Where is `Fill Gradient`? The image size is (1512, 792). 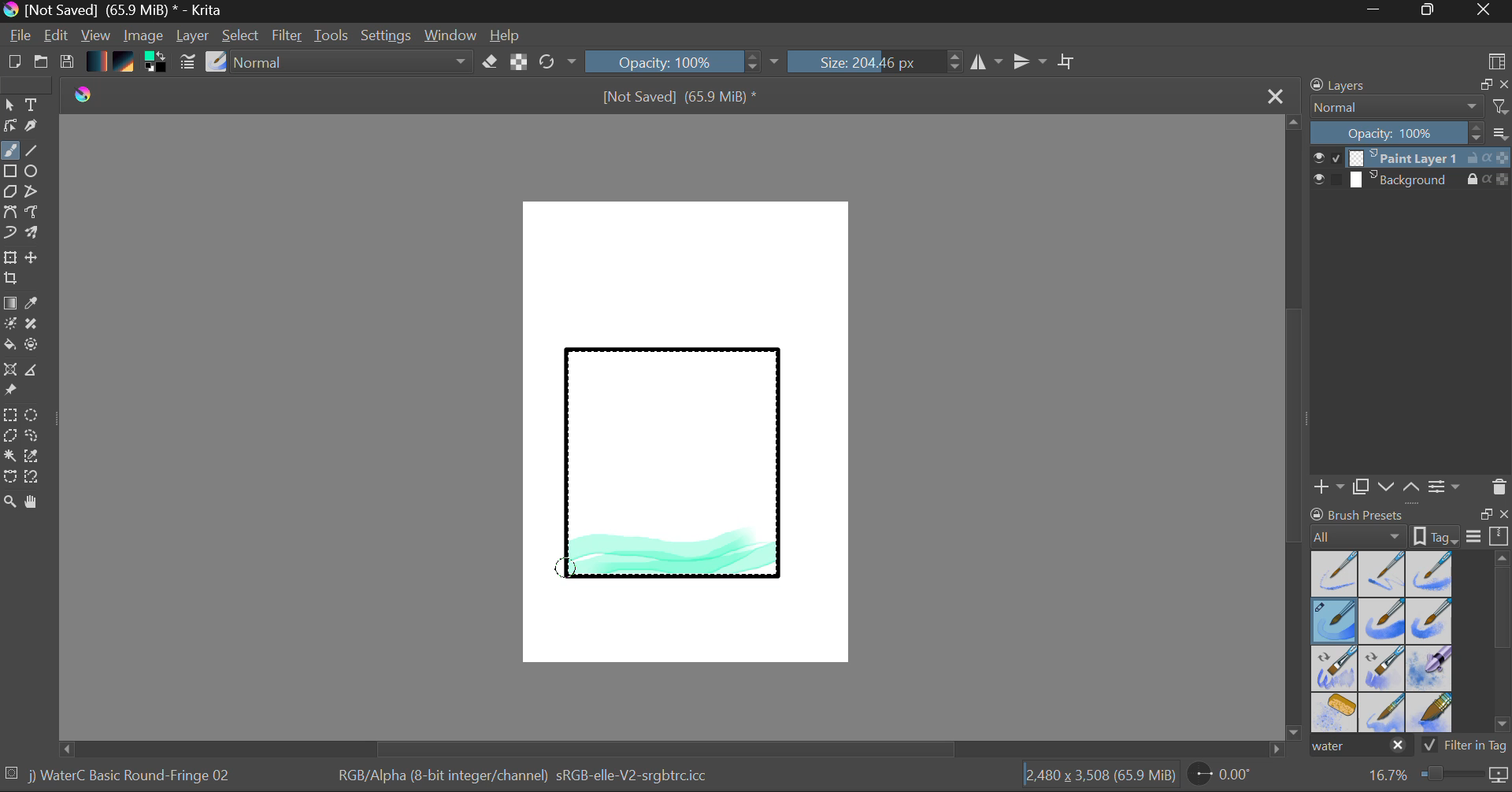
Fill Gradient is located at coordinates (10, 302).